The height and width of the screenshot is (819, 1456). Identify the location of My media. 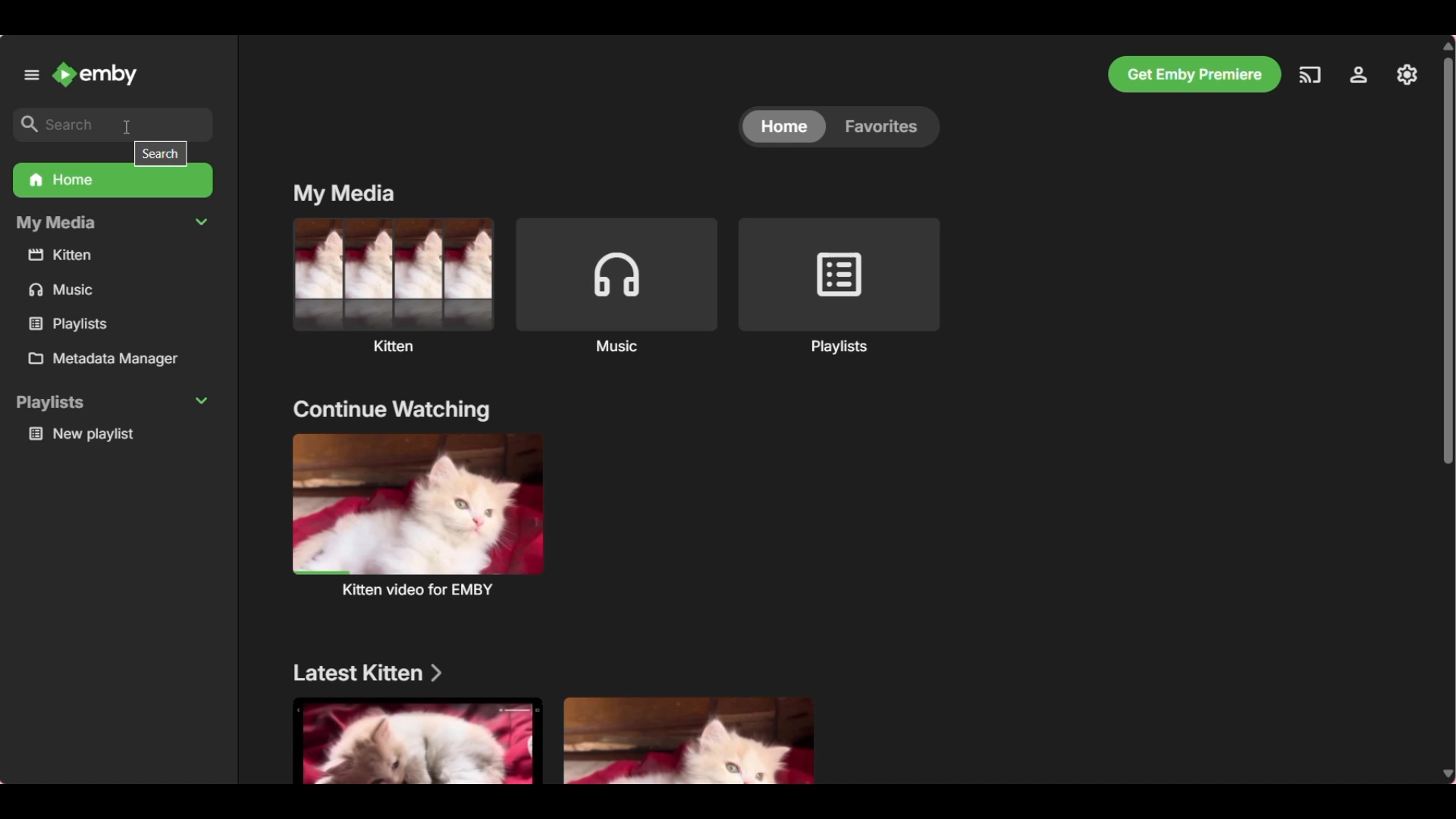
(349, 192).